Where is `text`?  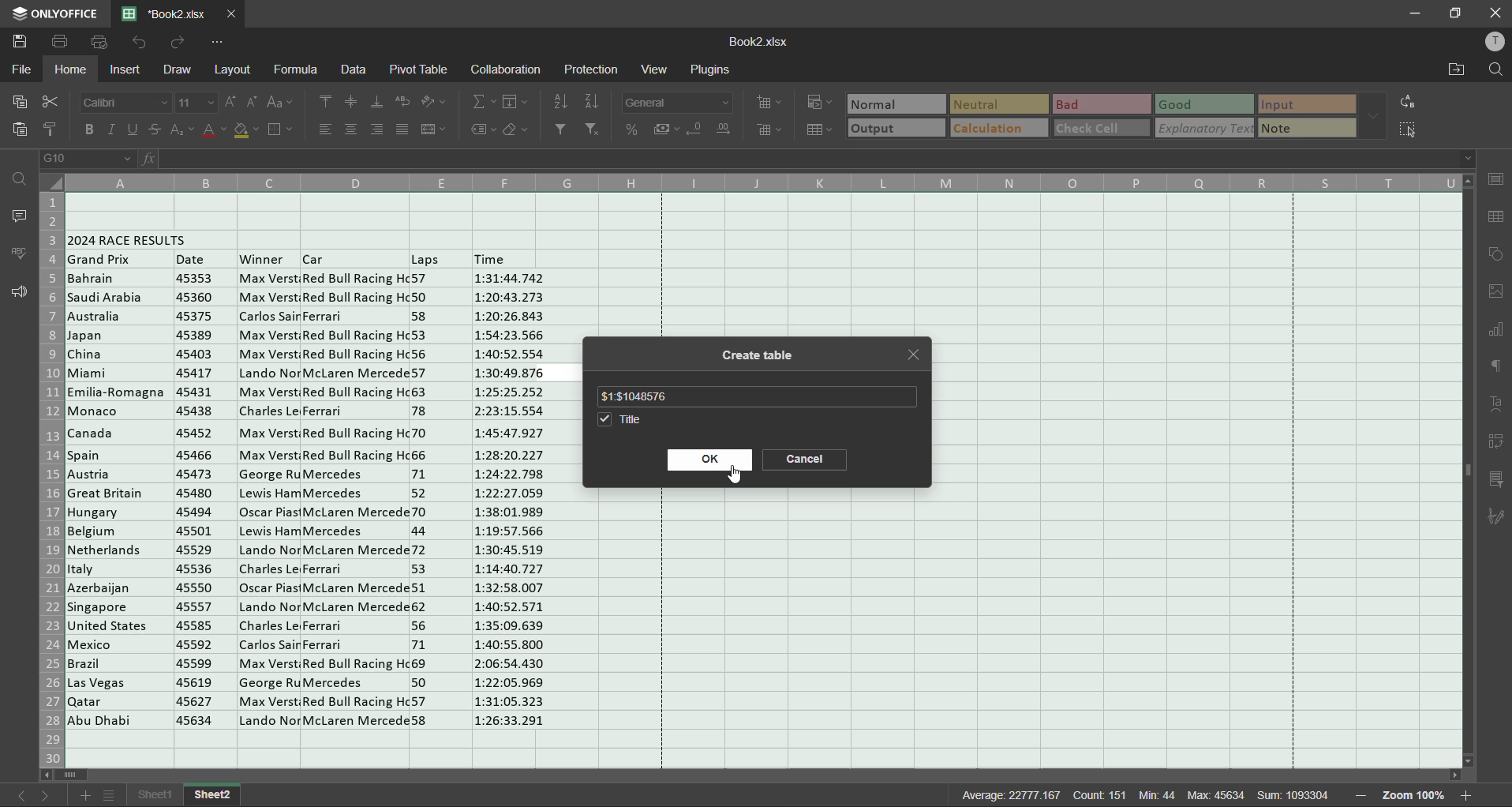 text is located at coordinates (1496, 405).